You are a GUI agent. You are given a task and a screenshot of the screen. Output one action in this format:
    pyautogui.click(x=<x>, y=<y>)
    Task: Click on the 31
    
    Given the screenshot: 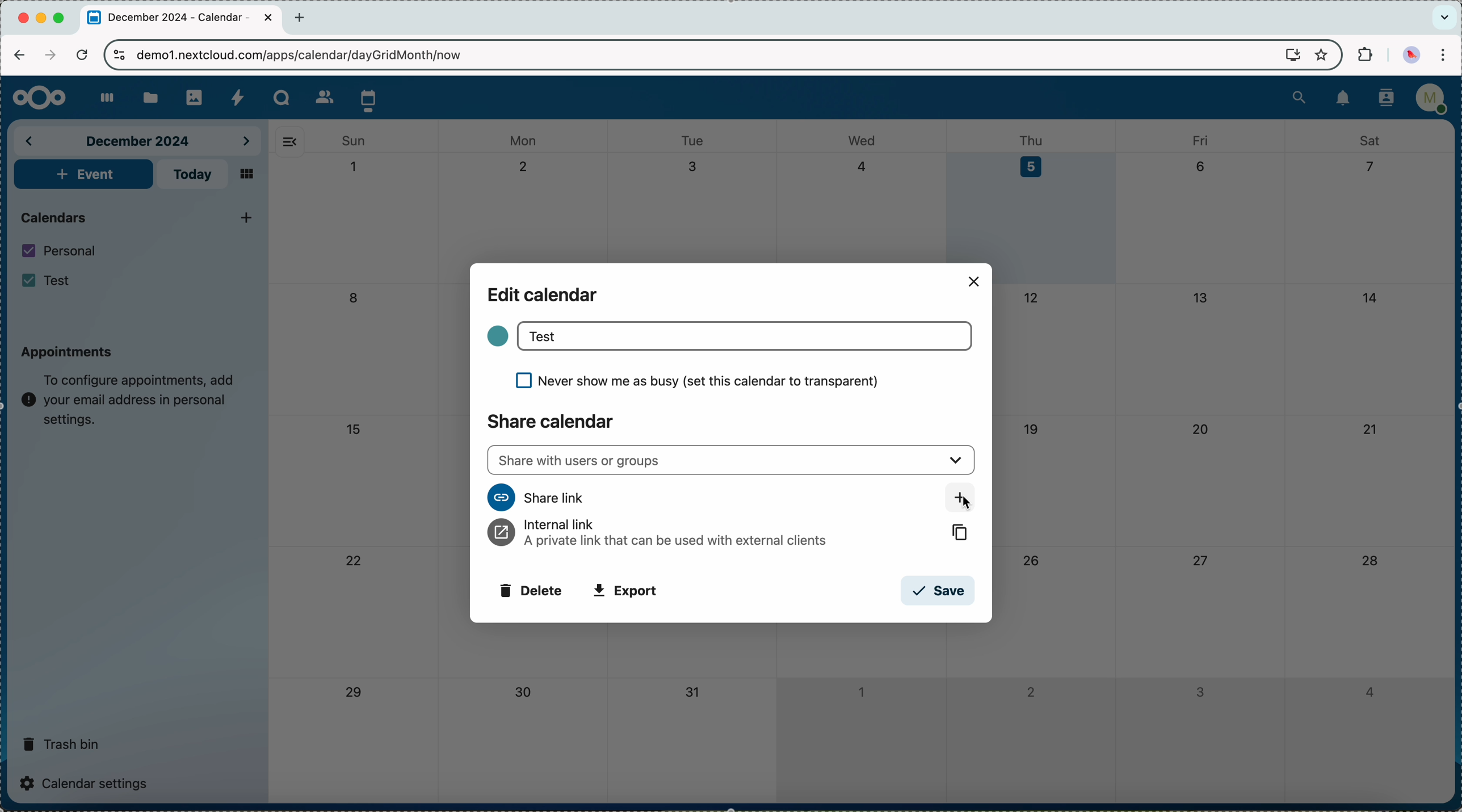 What is the action you would take?
    pyautogui.click(x=694, y=693)
    